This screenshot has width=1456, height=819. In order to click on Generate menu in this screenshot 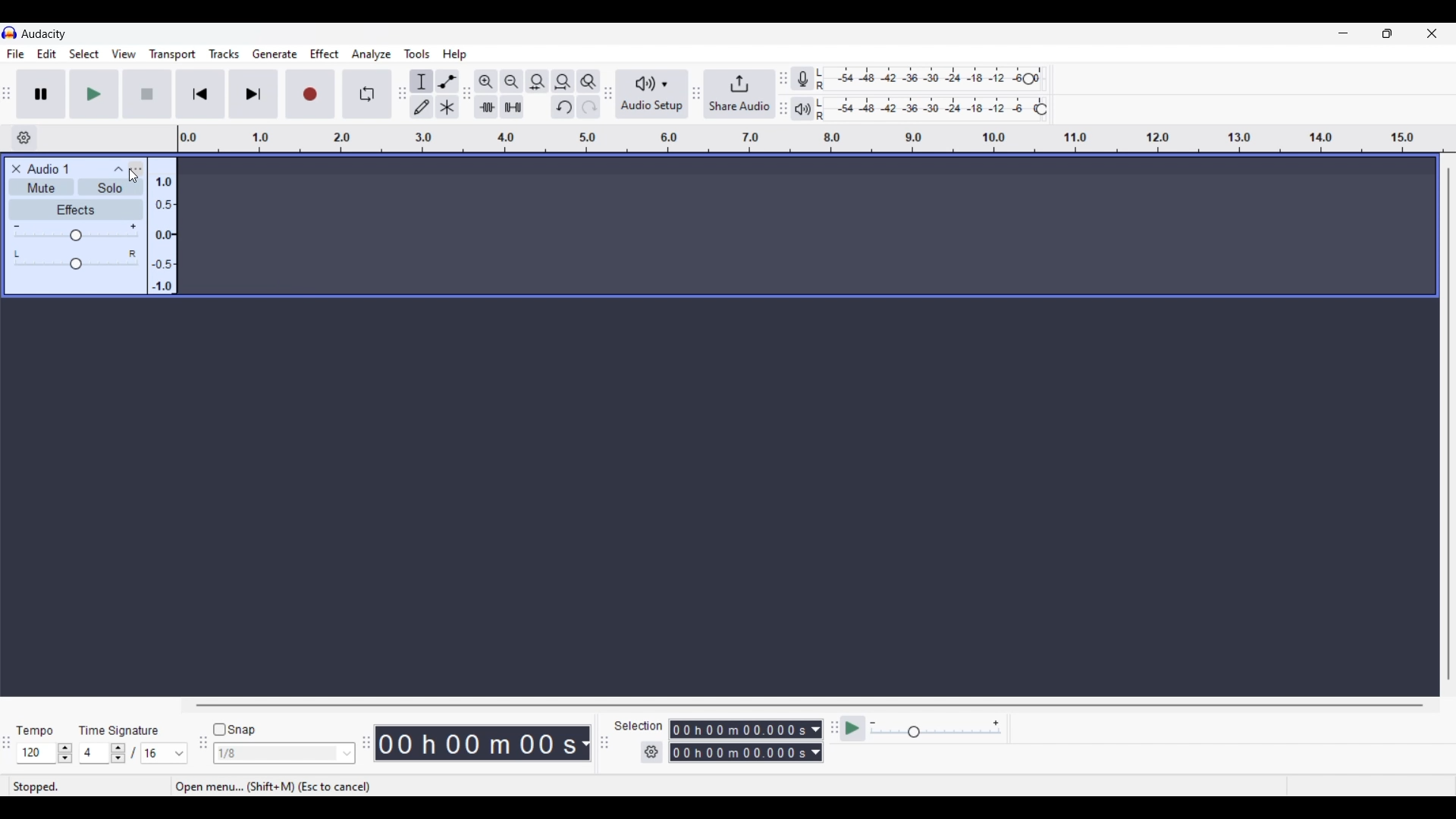, I will do `click(275, 54)`.